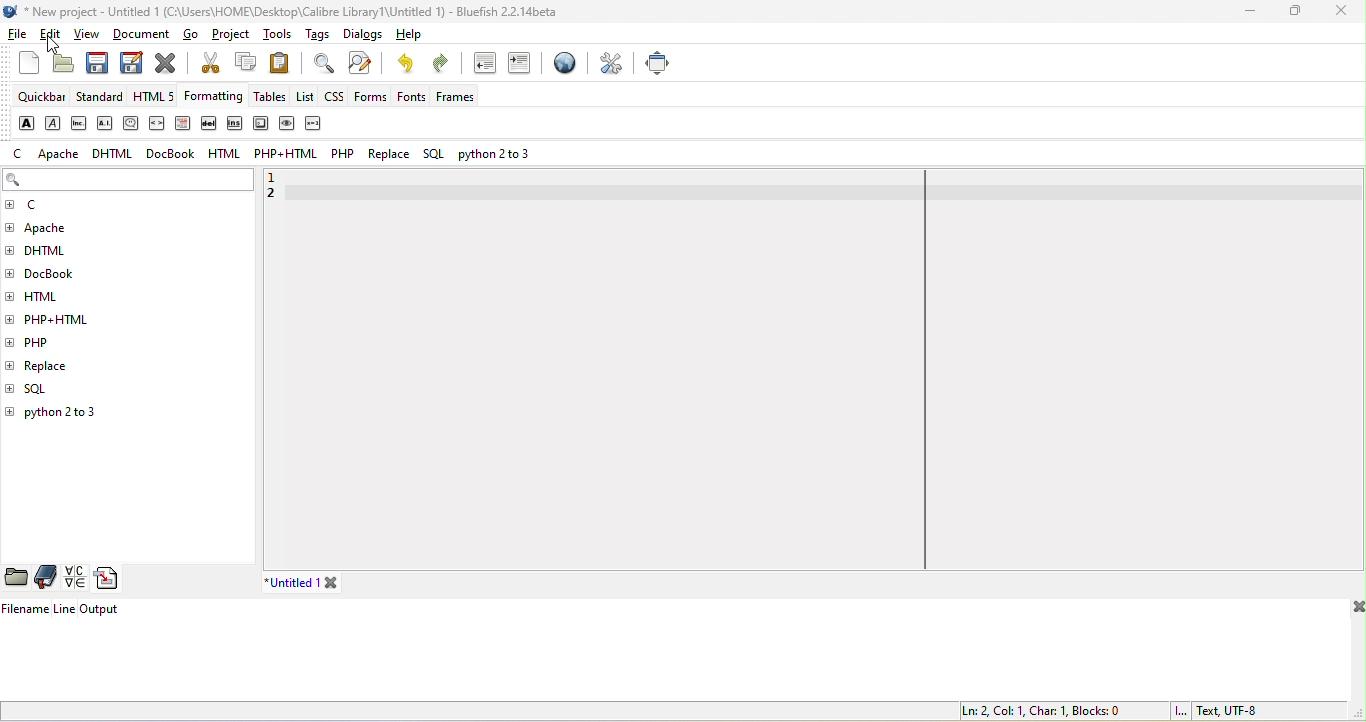 The width and height of the screenshot is (1366, 722). I want to click on variable, so click(316, 124).